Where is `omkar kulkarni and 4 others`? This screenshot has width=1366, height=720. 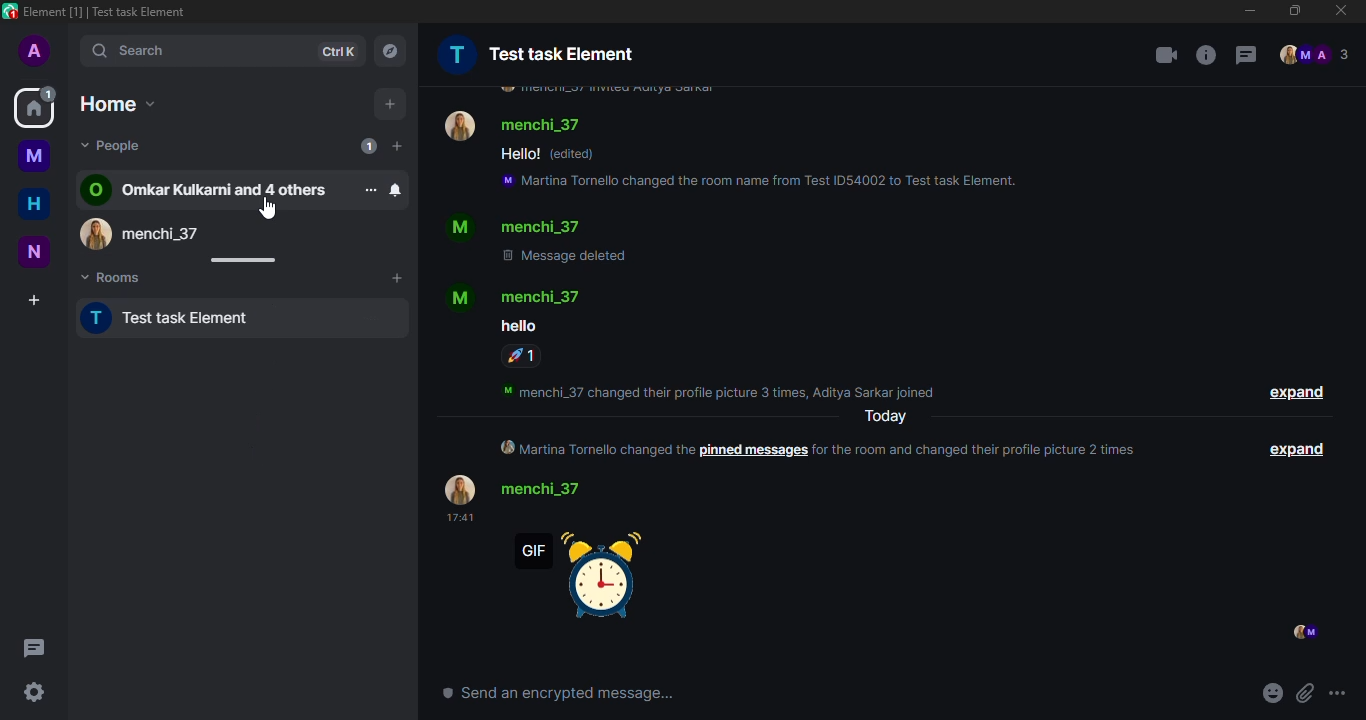 omkar kulkarni and 4 others is located at coordinates (209, 189).